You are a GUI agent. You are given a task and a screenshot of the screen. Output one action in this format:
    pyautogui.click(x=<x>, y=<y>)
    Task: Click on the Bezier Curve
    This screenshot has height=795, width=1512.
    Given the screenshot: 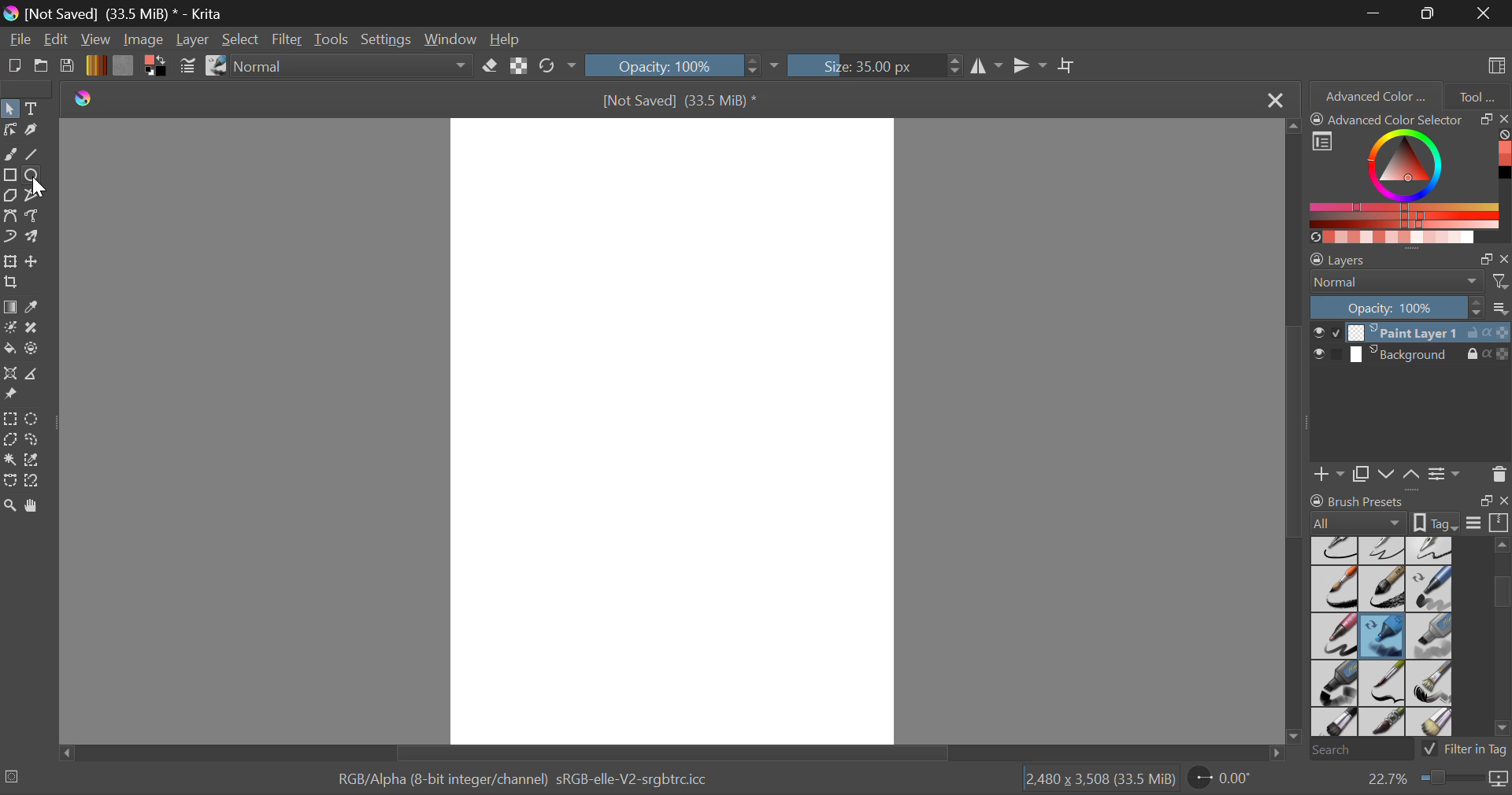 What is the action you would take?
    pyautogui.click(x=13, y=218)
    